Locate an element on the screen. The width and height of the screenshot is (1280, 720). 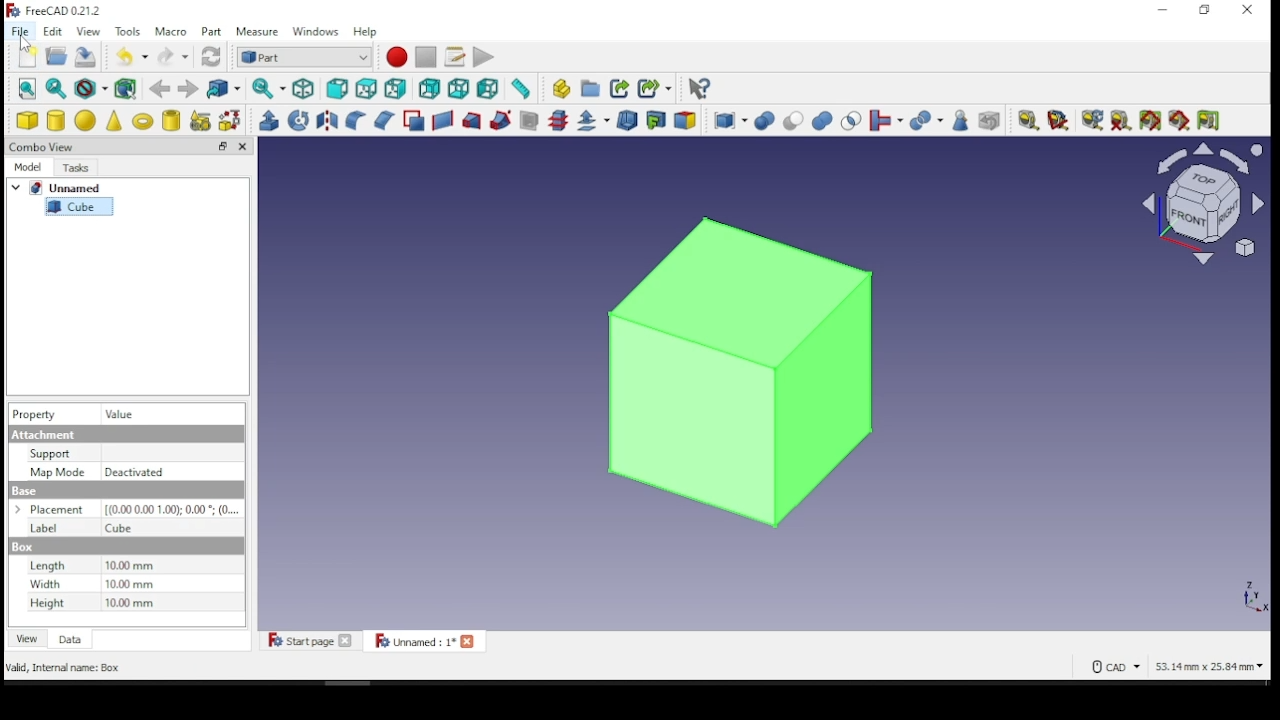
shape builder is located at coordinates (231, 120).